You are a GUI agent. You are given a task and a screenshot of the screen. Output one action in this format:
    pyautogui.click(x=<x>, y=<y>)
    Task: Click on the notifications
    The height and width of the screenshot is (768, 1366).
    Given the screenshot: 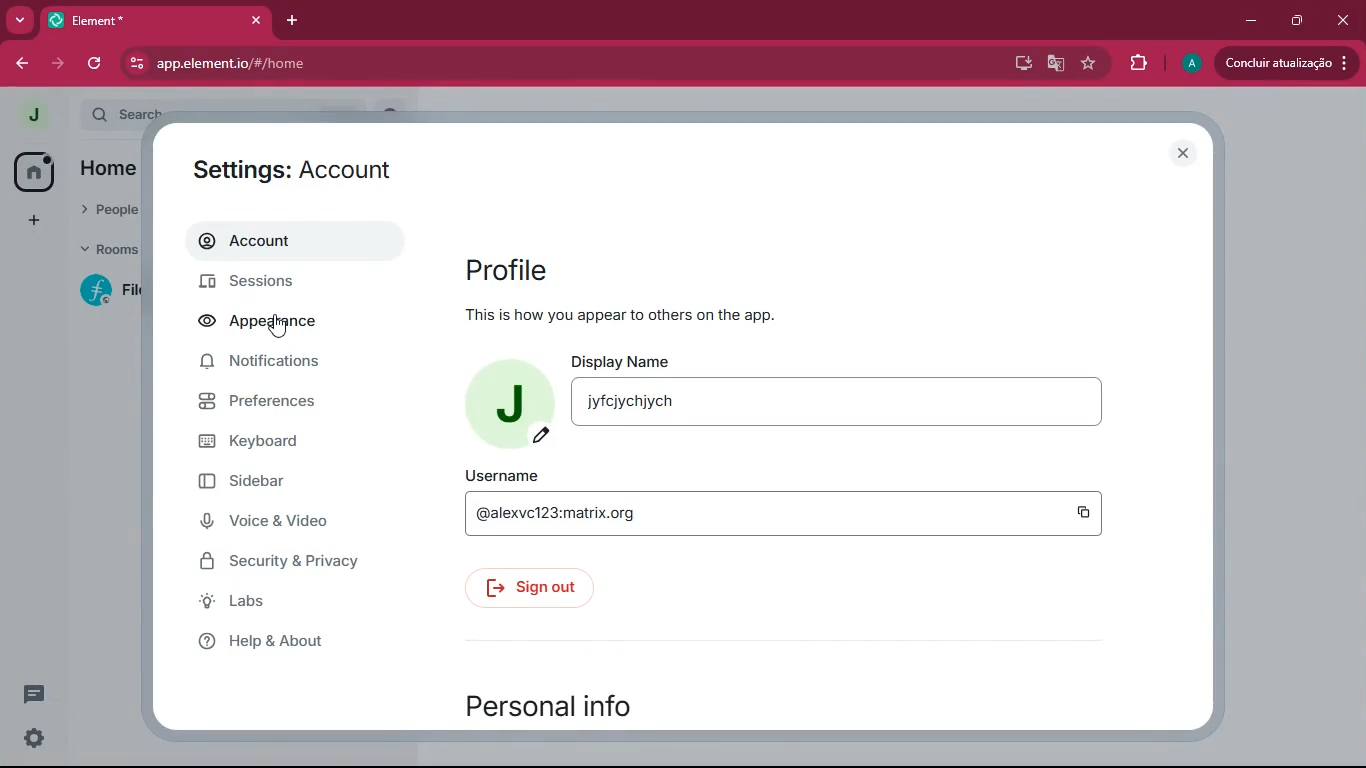 What is the action you would take?
    pyautogui.click(x=296, y=363)
    